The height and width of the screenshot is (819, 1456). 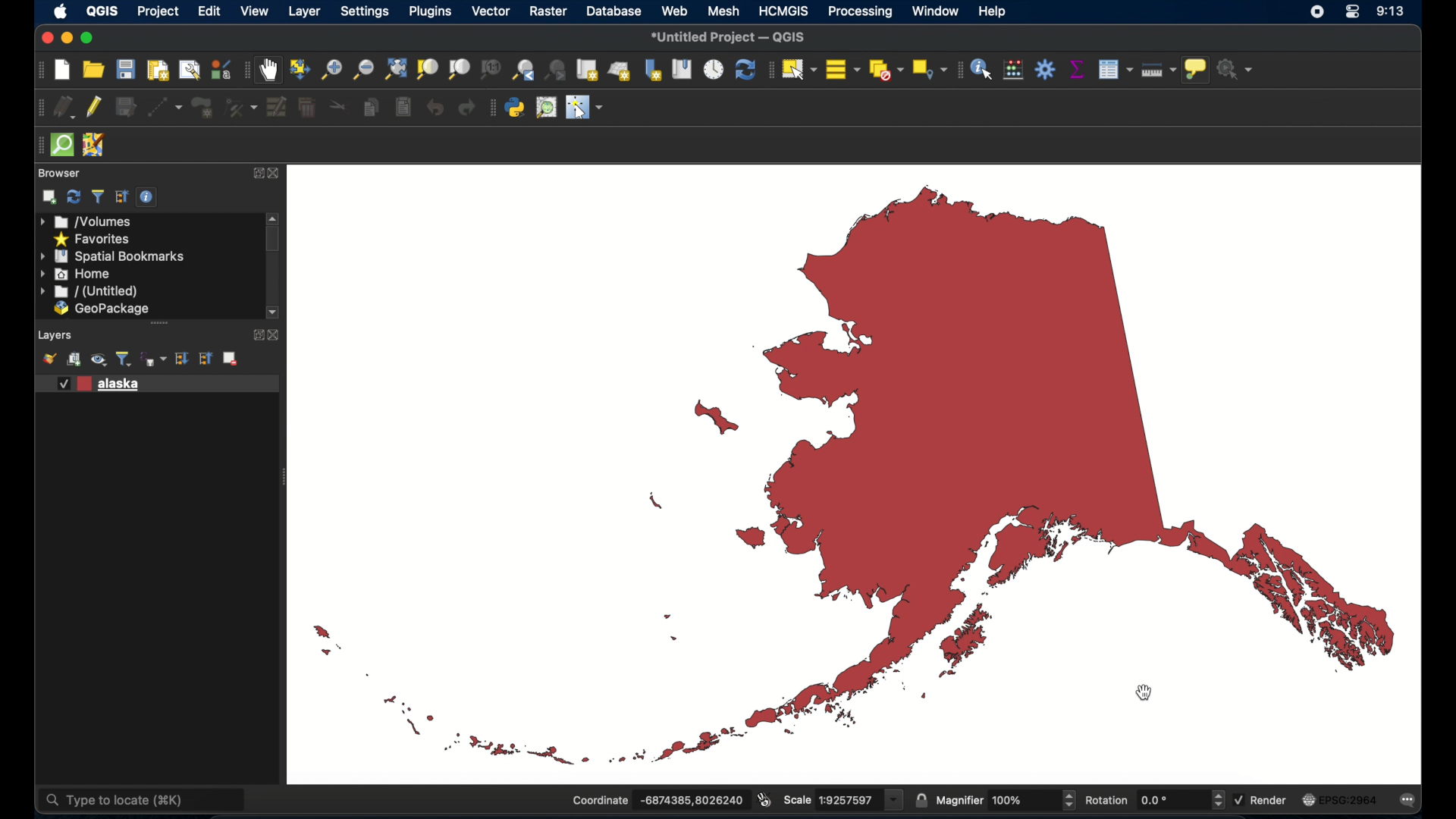 What do you see at coordinates (139, 799) in the screenshot?
I see `type to locate` at bounding box center [139, 799].